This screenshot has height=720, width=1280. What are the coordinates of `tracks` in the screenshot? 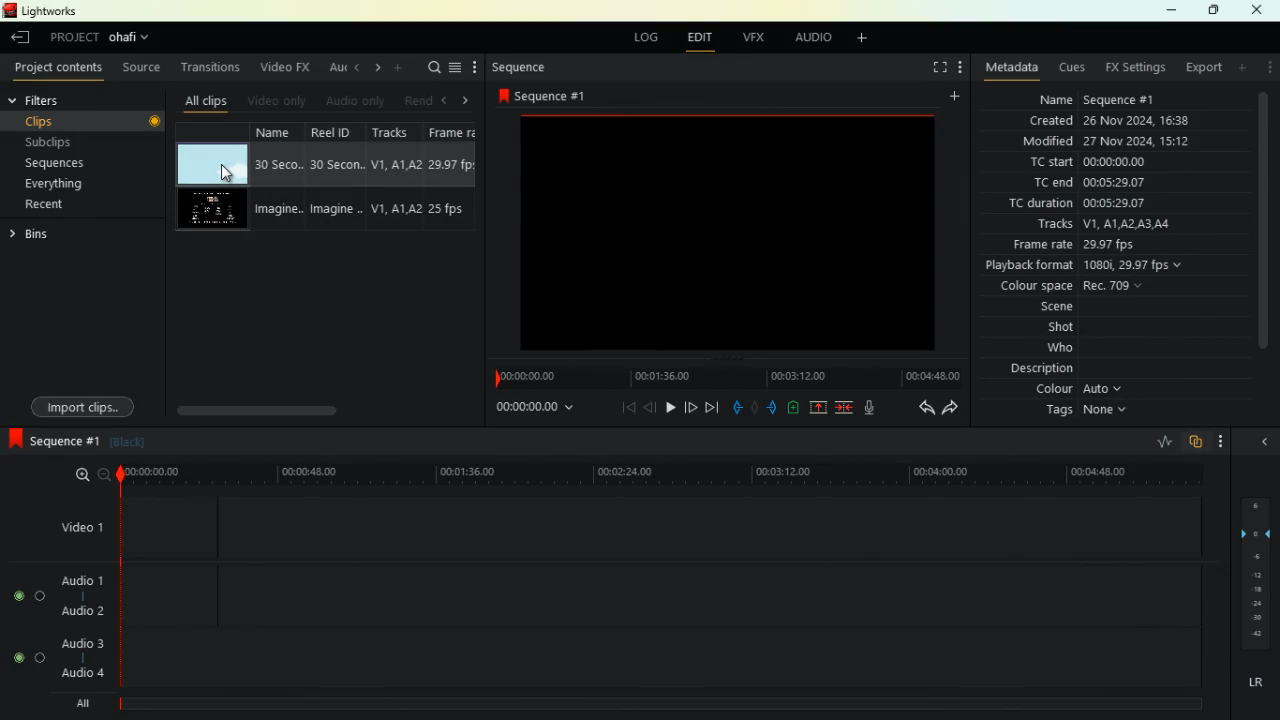 It's located at (395, 179).